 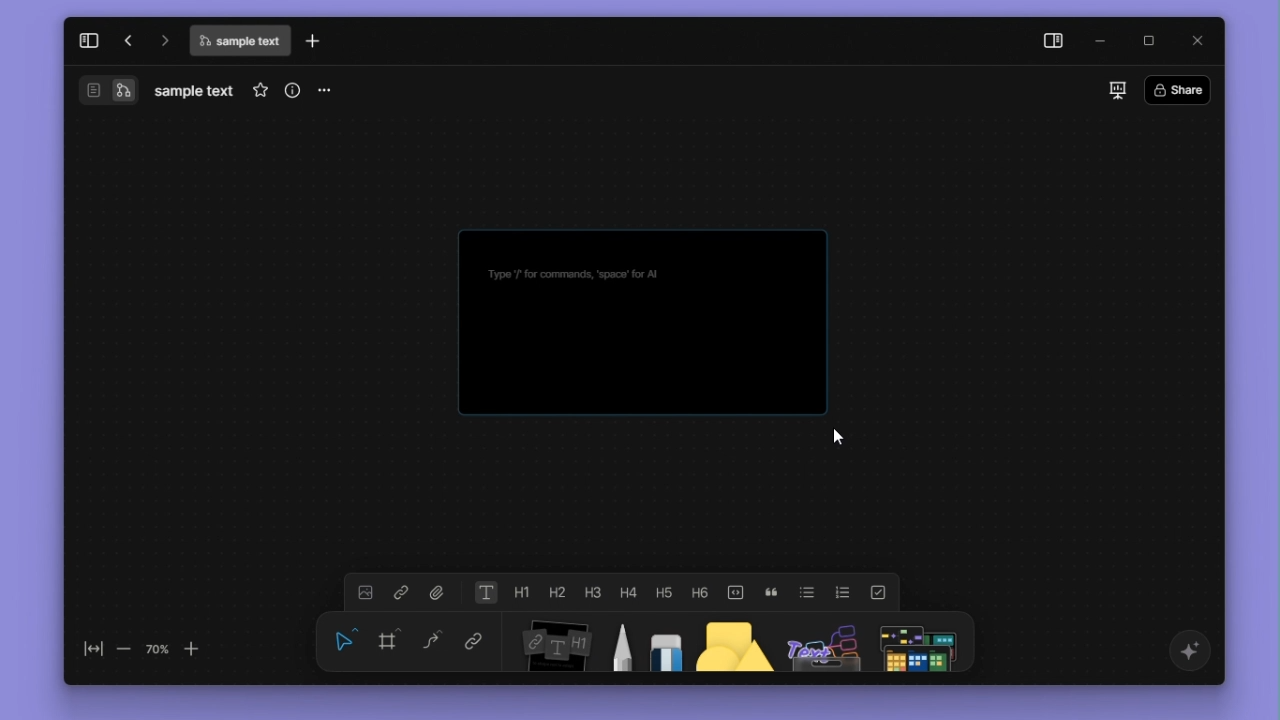 What do you see at coordinates (341, 638) in the screenshot?
I see `Select V` at bounding box center [341, 638].